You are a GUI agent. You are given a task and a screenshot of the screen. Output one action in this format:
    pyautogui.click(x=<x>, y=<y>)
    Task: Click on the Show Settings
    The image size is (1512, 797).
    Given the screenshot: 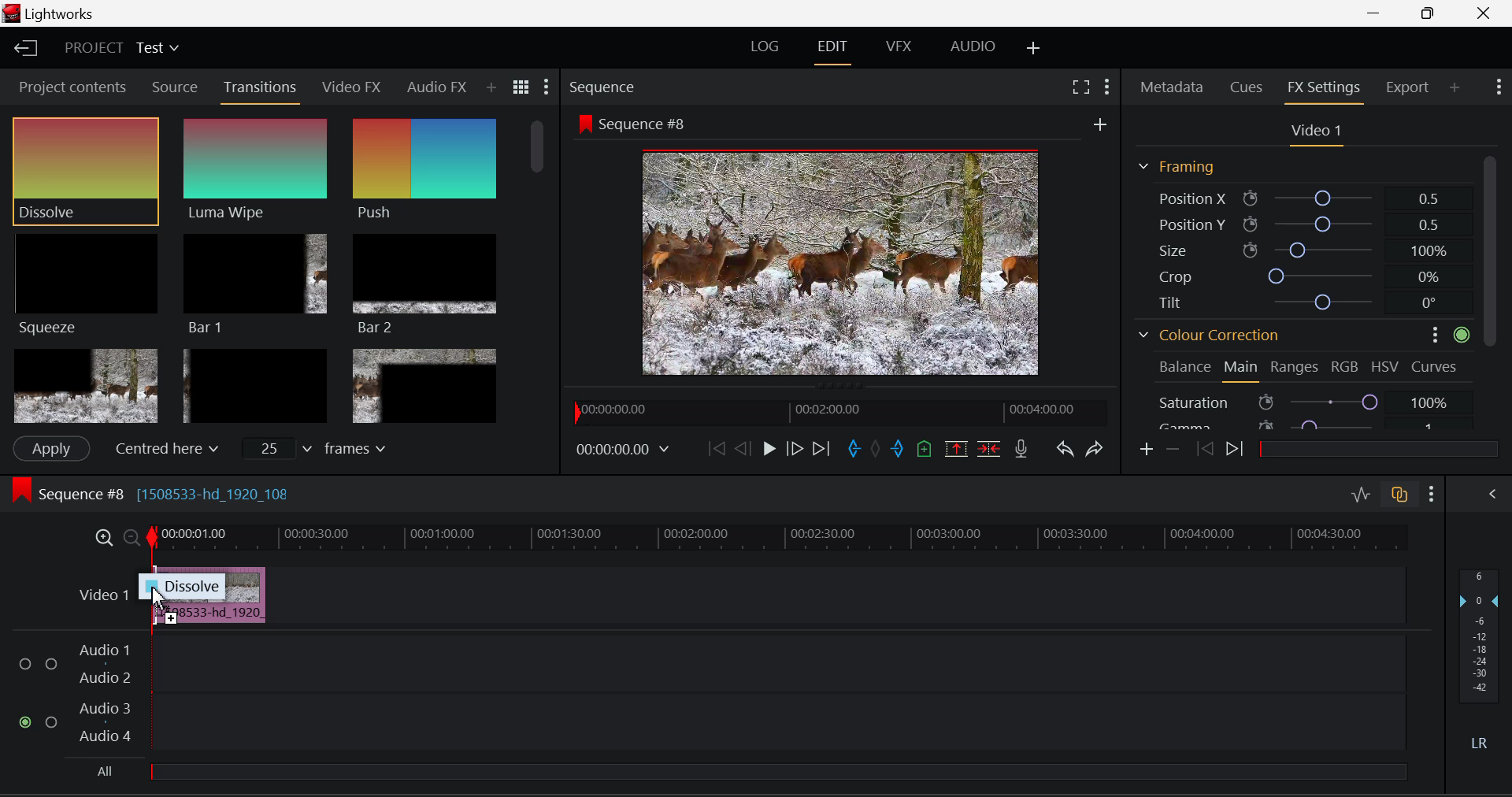 What is the action you would take?
    pyautogui.click(x=1106, y=87)
    